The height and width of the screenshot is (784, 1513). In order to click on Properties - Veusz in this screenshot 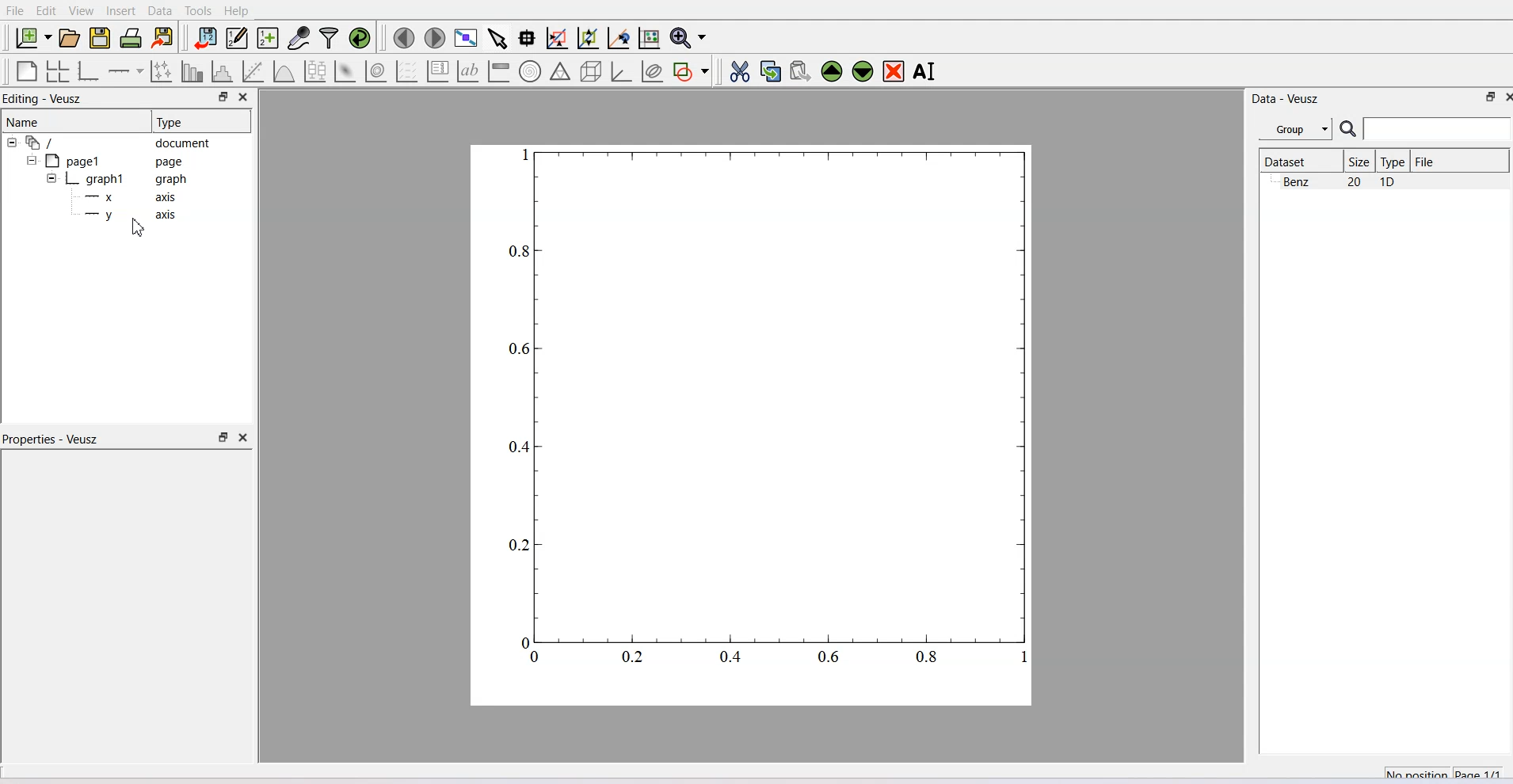, I will do `click(52, 438)`.